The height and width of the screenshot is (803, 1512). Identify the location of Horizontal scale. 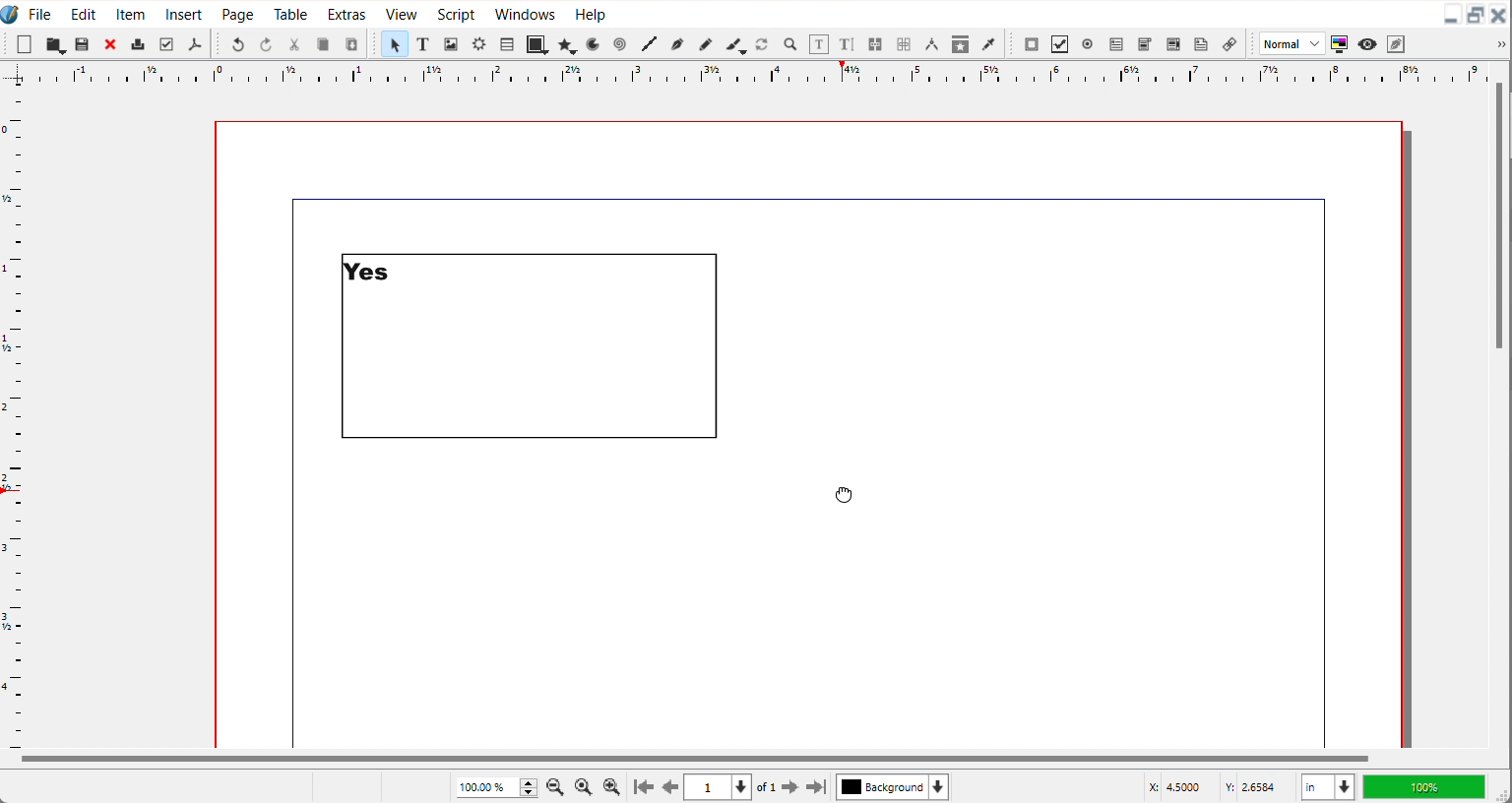
(756, 73).